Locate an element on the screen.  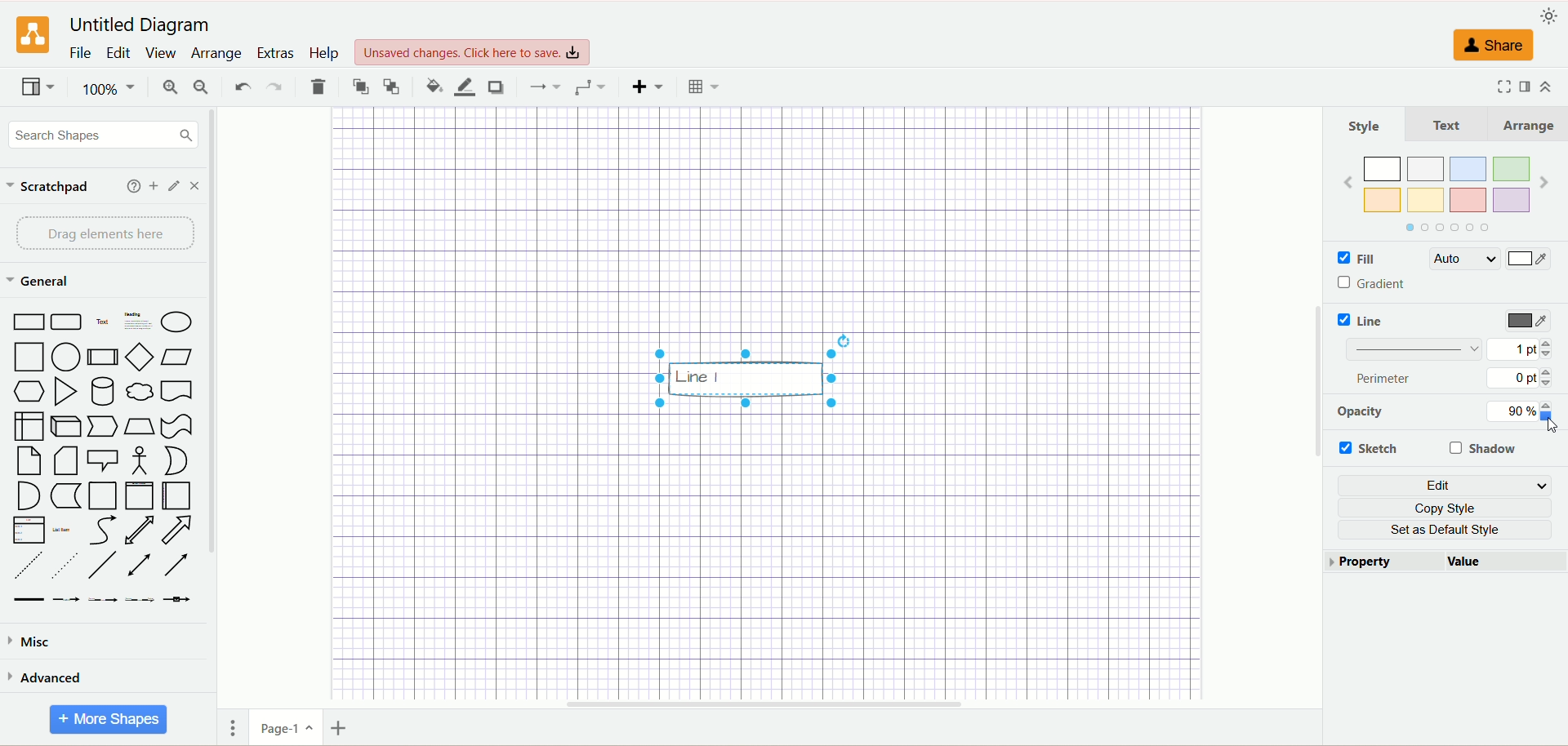
Checkbox is located at coordinates (1341, 319).